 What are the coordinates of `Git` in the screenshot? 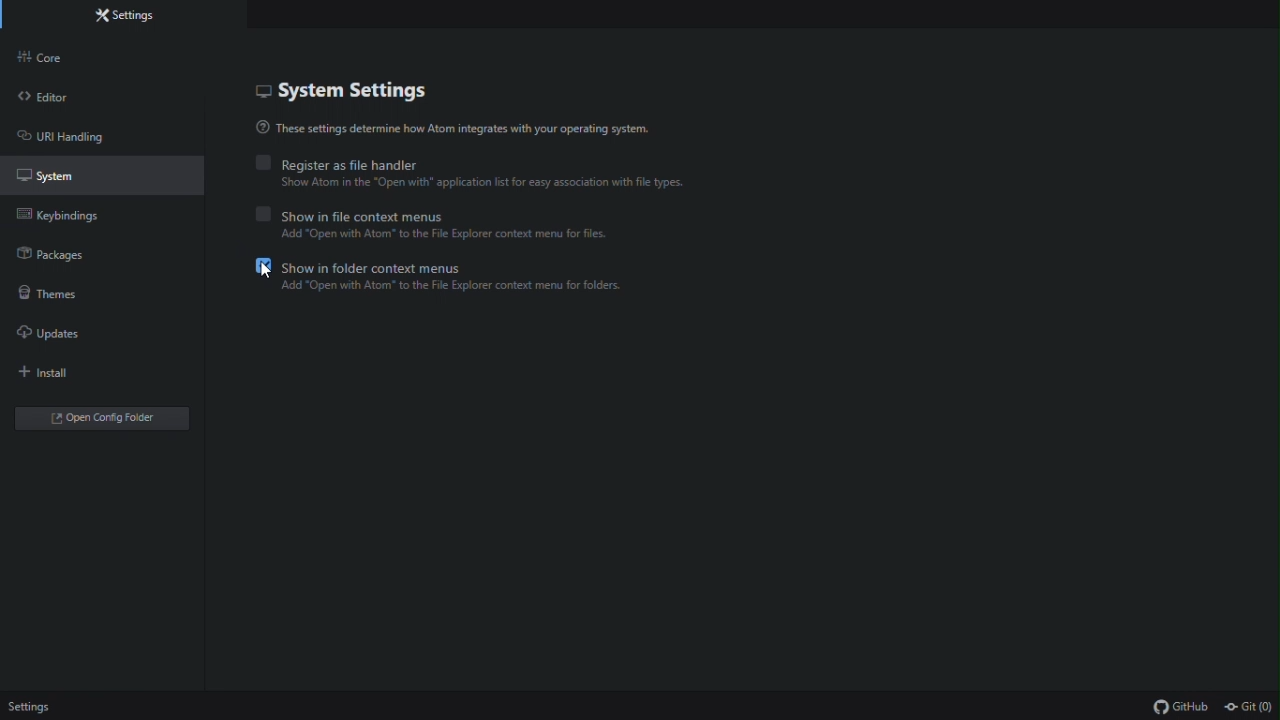 It's located at (1250, 705).